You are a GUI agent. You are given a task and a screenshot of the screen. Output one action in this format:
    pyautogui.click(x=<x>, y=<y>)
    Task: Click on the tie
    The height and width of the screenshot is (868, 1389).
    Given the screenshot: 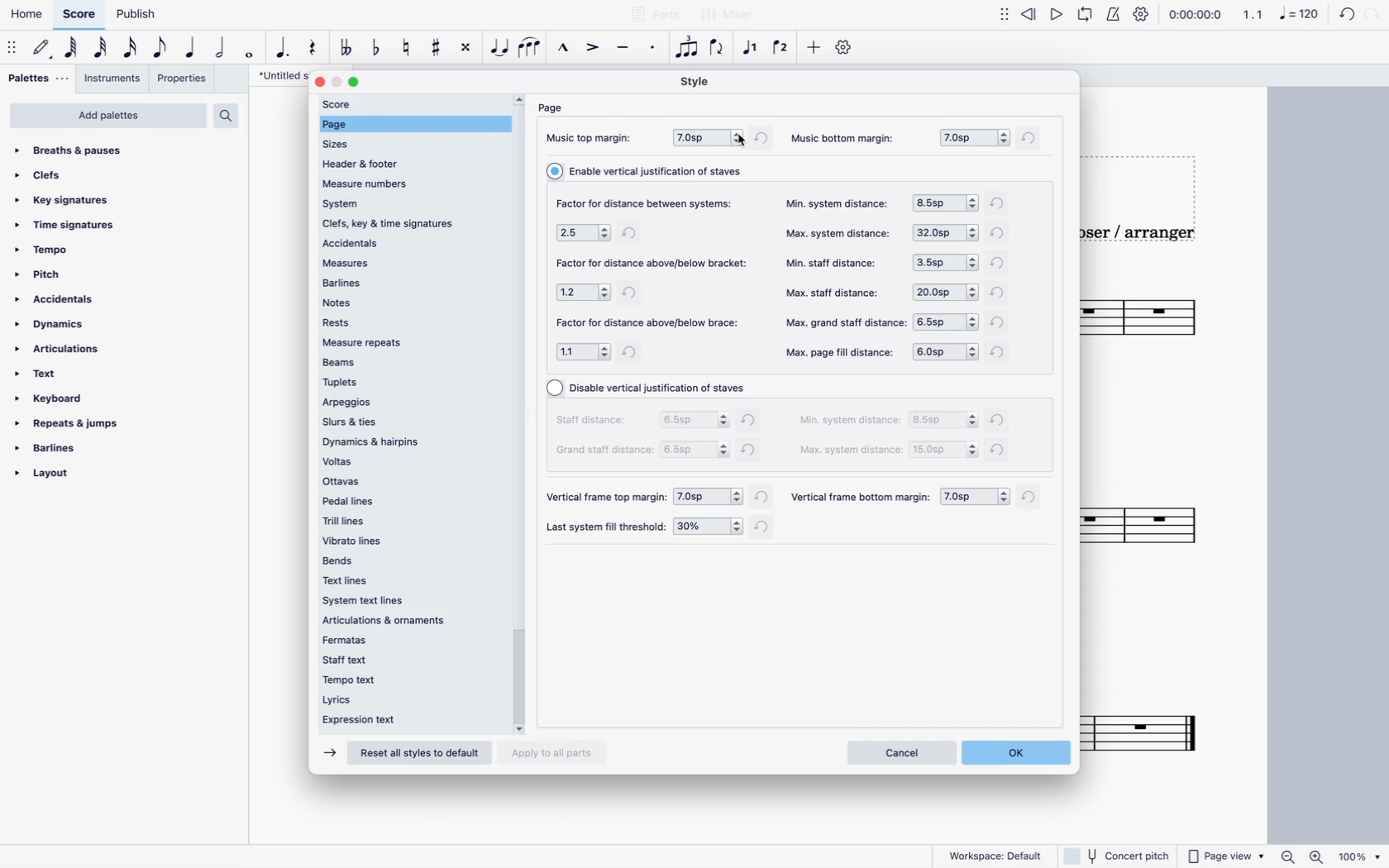 What is the action you would take?
    pyautogui.click(x=500, y=51)
    